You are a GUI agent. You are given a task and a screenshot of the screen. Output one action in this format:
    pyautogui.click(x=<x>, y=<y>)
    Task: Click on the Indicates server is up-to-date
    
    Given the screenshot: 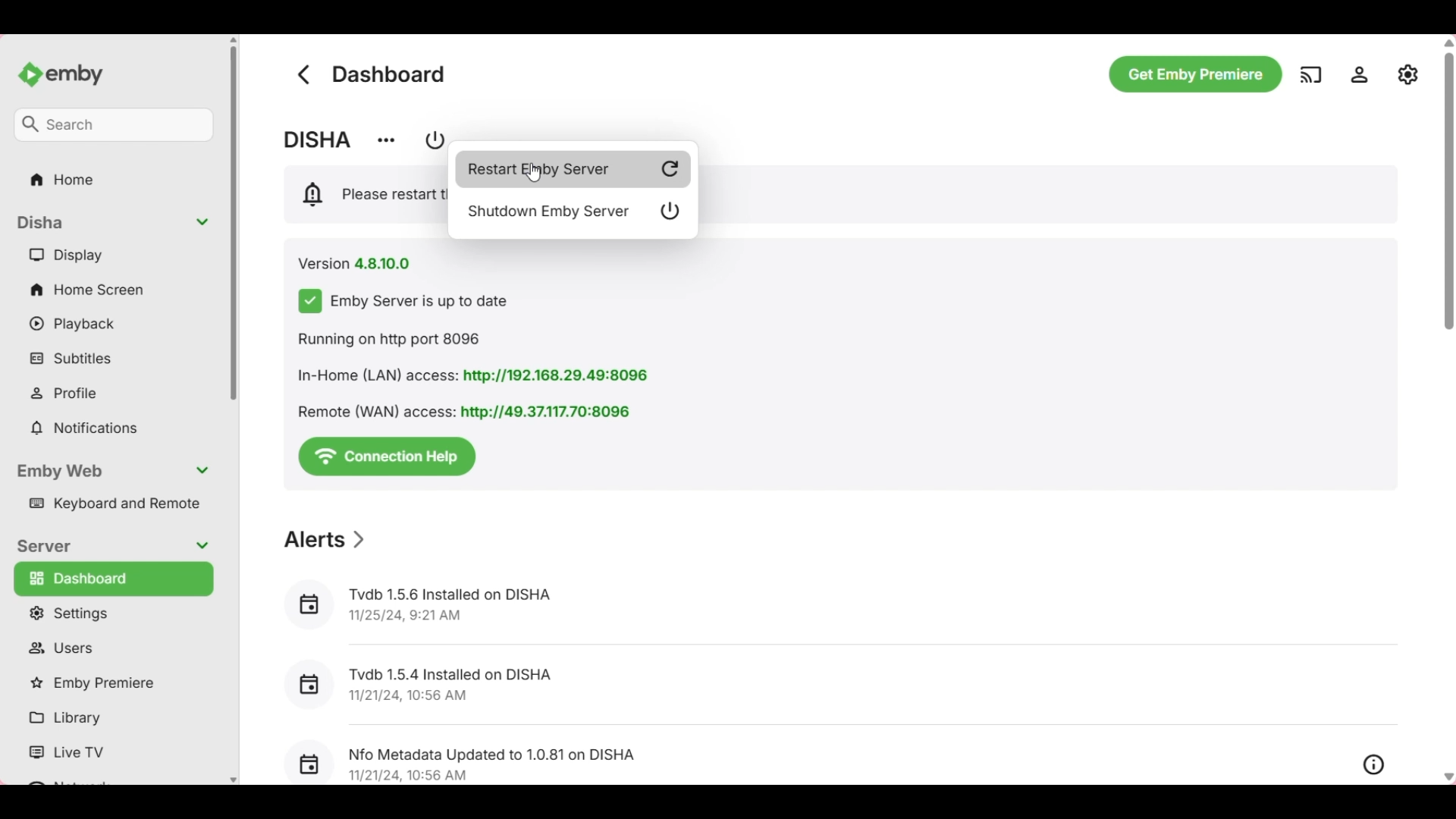 What is the action you would take?
    pyautogui.click(x=403, y=301)
    